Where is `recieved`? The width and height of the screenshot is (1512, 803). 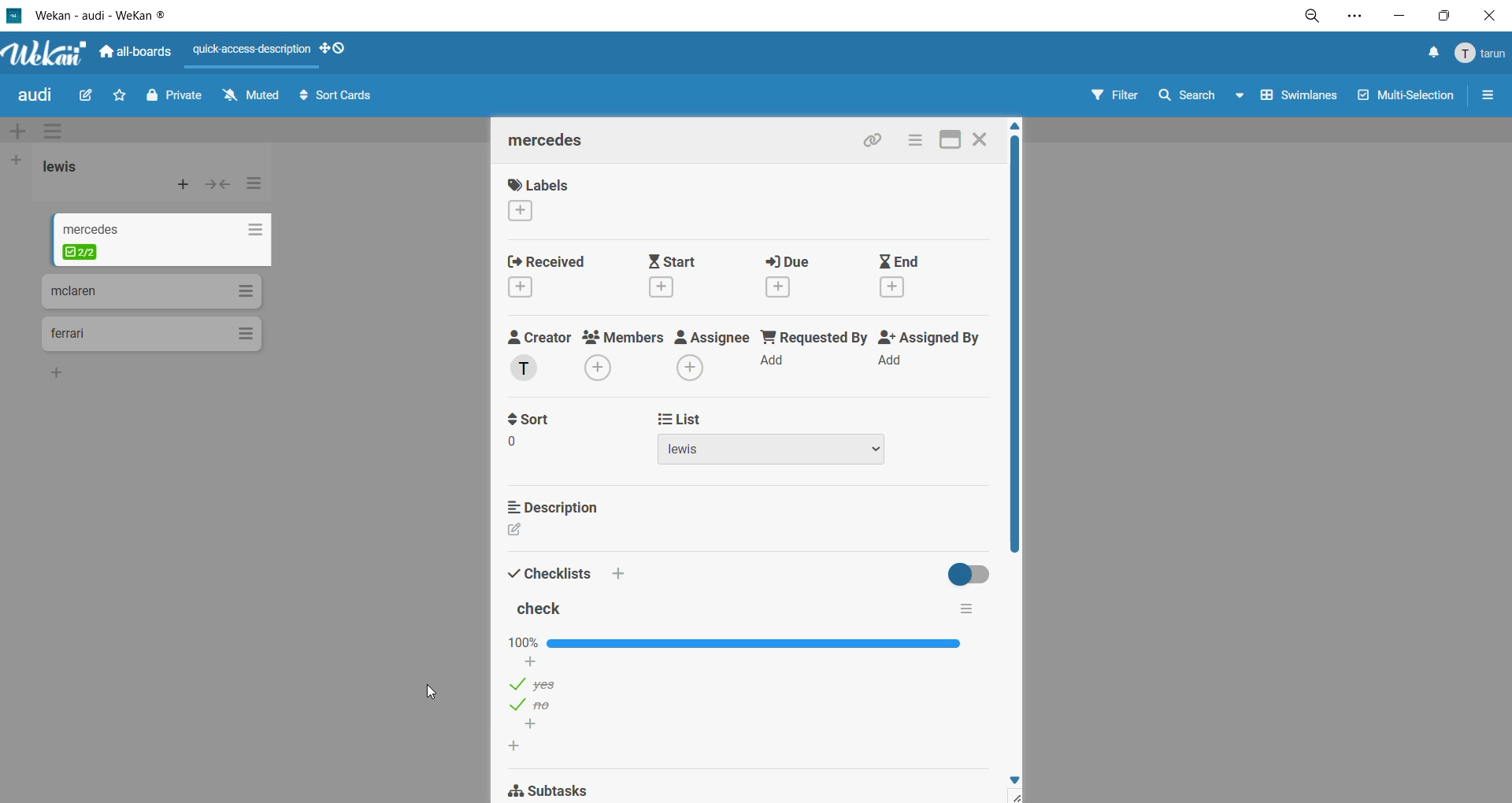 recieved is located at coordinates (566, 276).